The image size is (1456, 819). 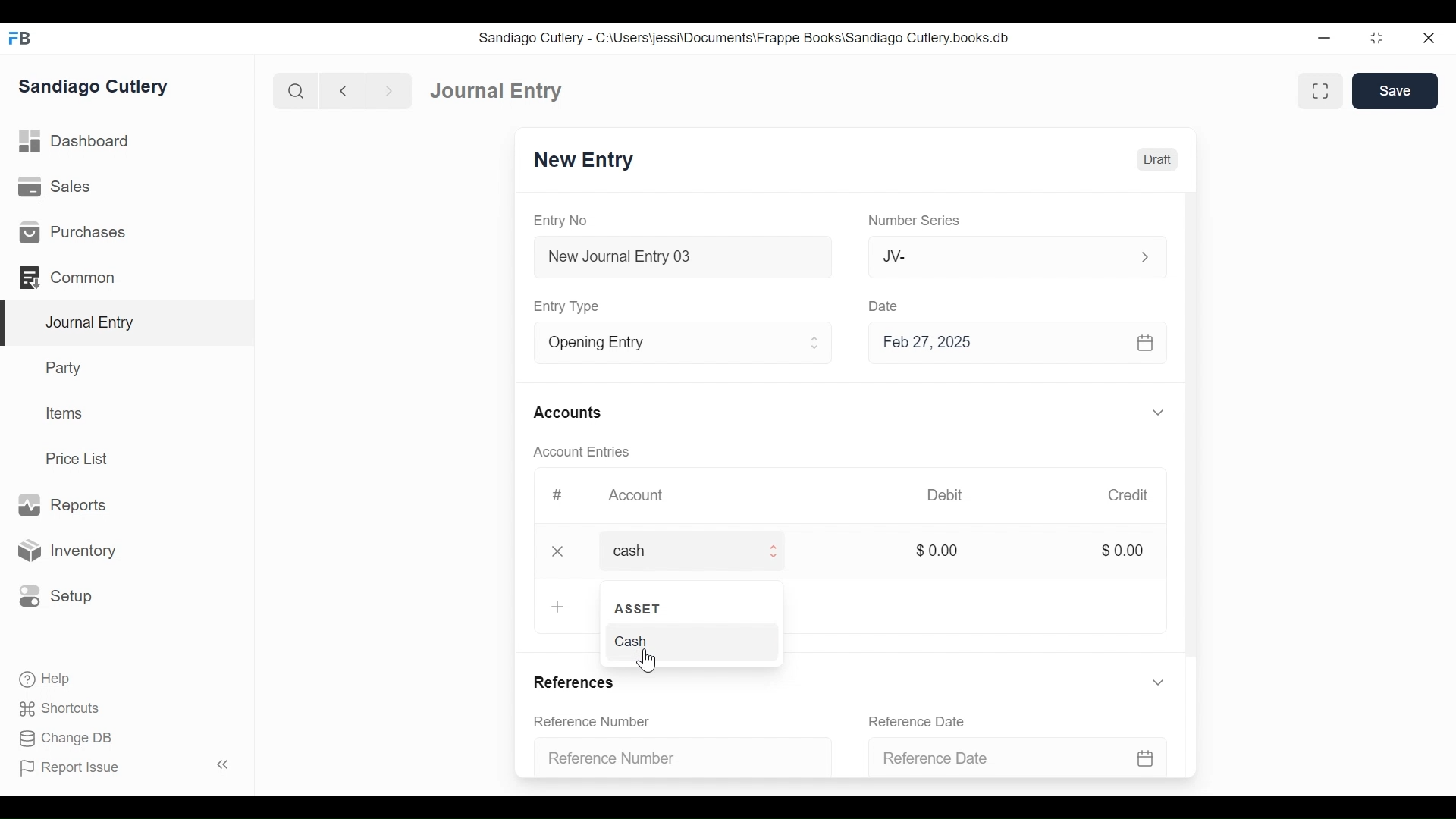 What do you see at coordinates (66, 367) in the screenshot?
I see `Party` at bounding box center [66, 367].